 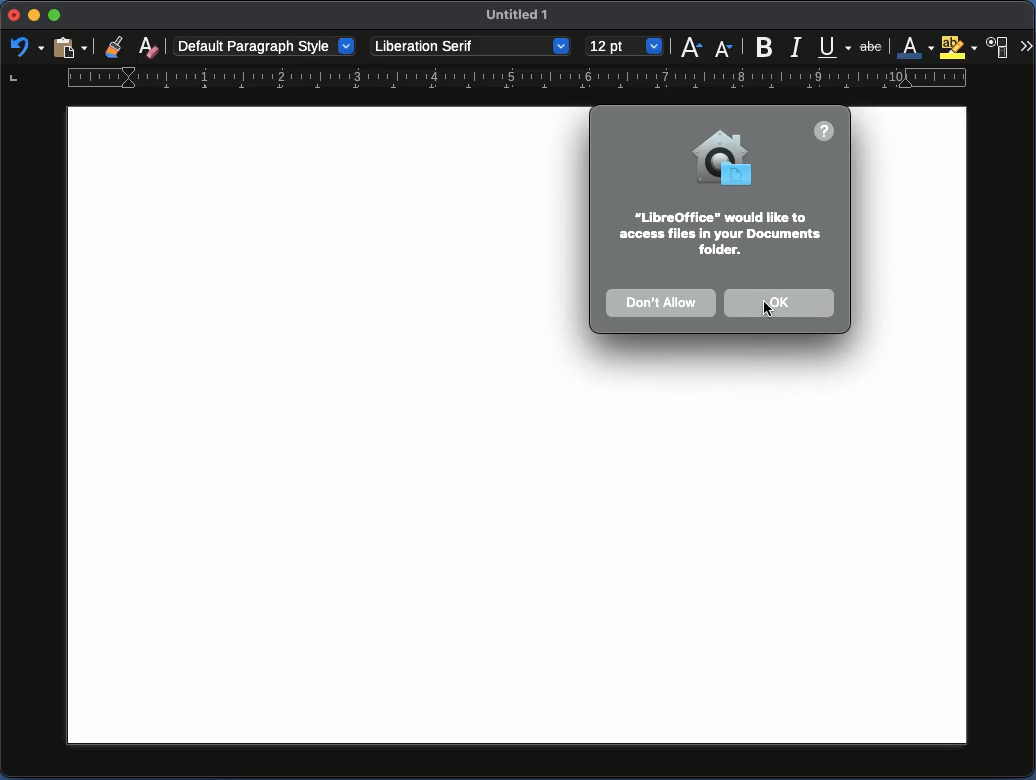 What do you see at coordinates (70, 46) in the screenshot?
I see `Clipboard` at bounding box center [70, 46].